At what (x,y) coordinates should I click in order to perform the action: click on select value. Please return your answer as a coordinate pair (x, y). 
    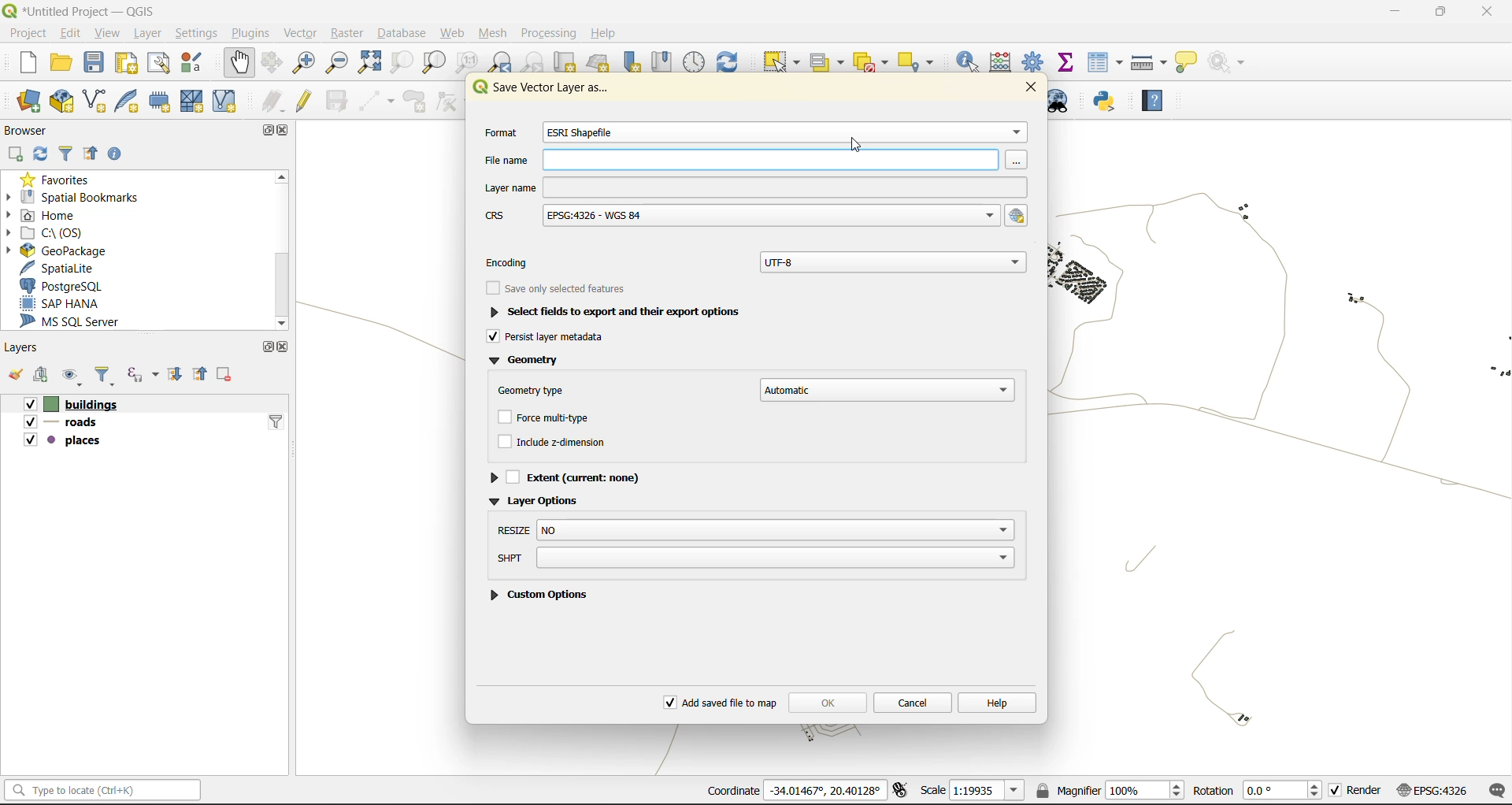
    Looking at the image, I should click on (828, 62).